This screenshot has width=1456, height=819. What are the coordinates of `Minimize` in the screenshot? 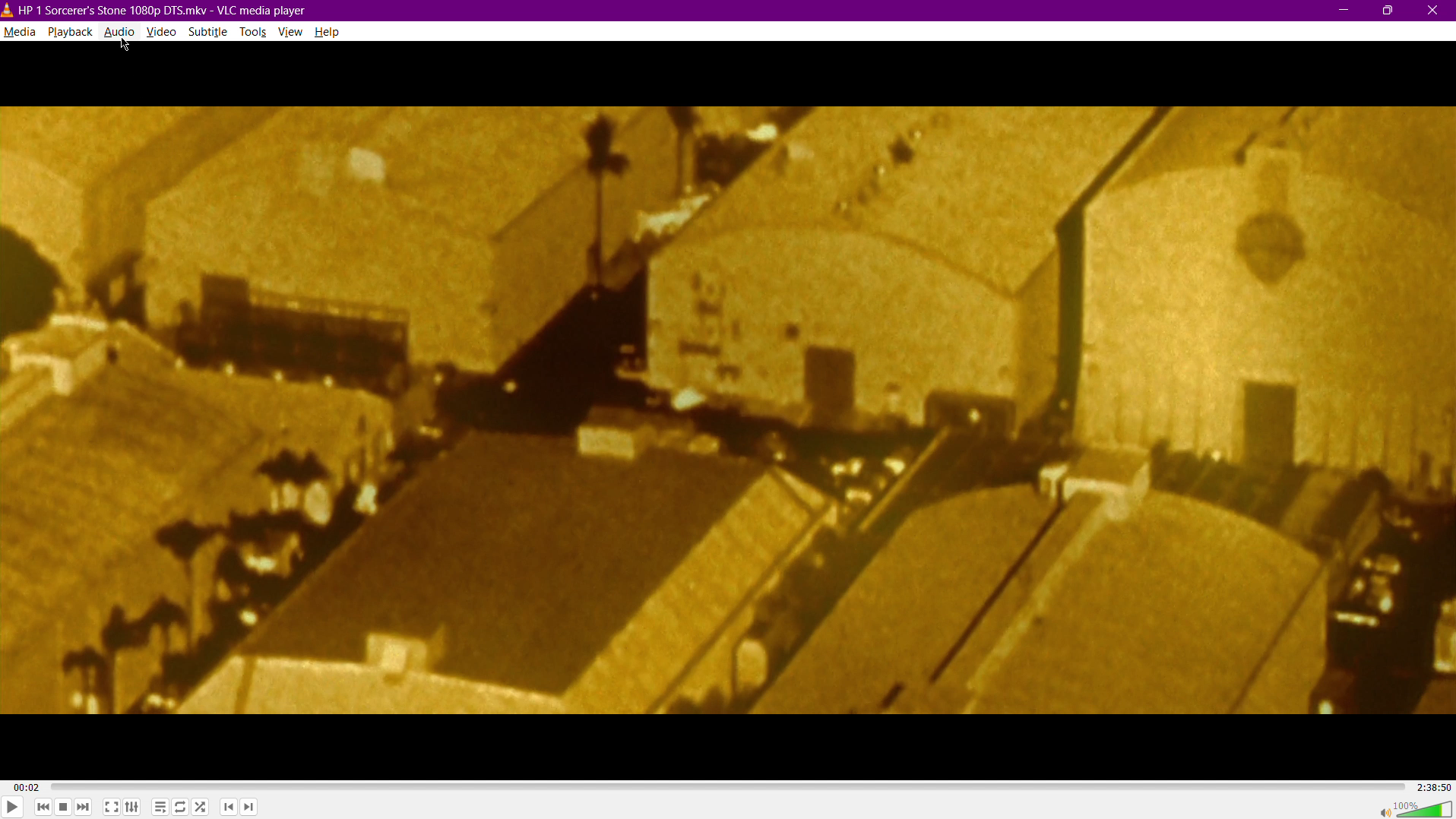 It's located at (1342, 10).